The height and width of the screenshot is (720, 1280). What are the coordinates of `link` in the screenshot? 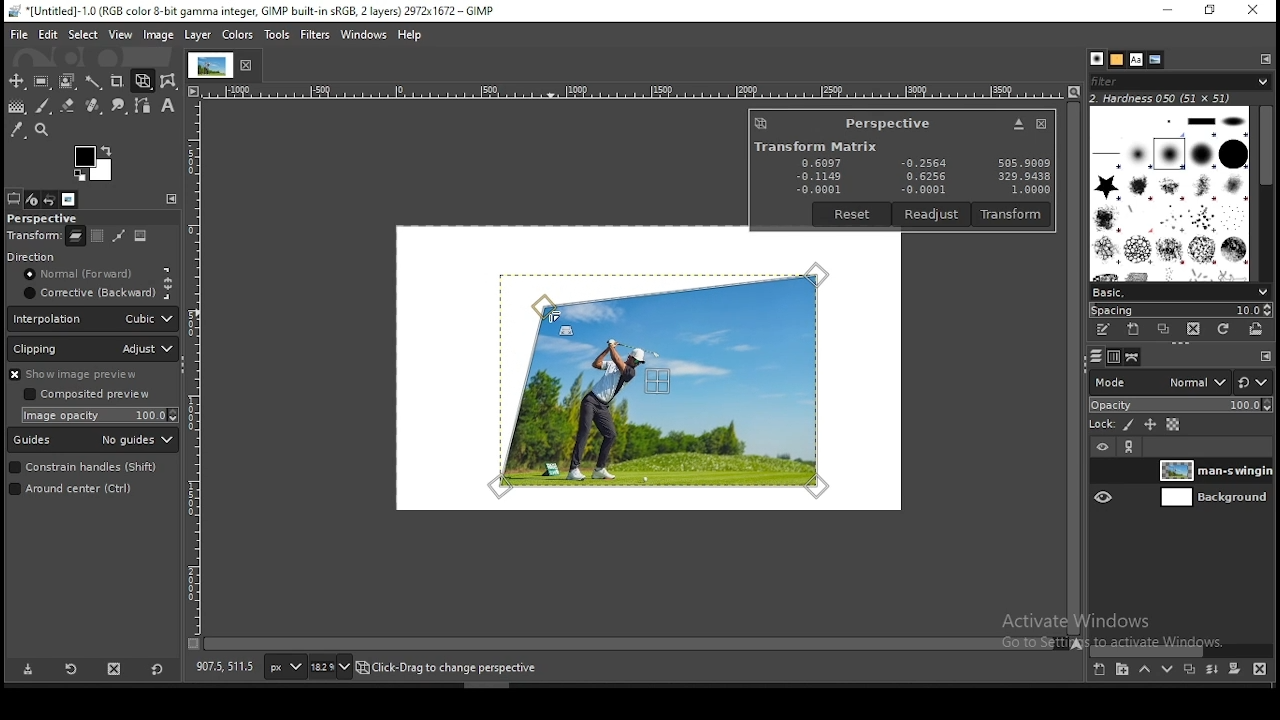 It's located at (1131, 449).